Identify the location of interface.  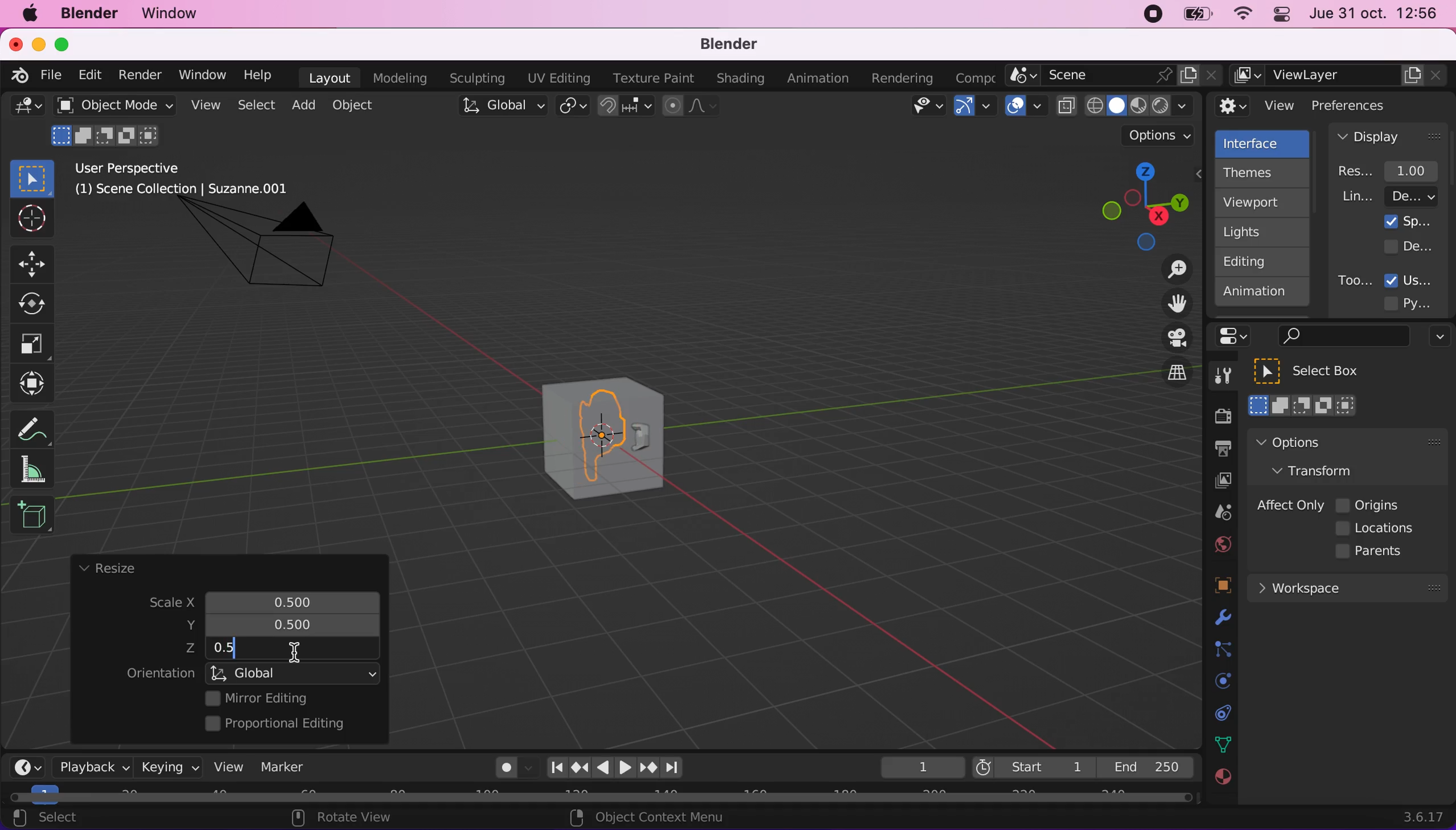
(1264, 142).